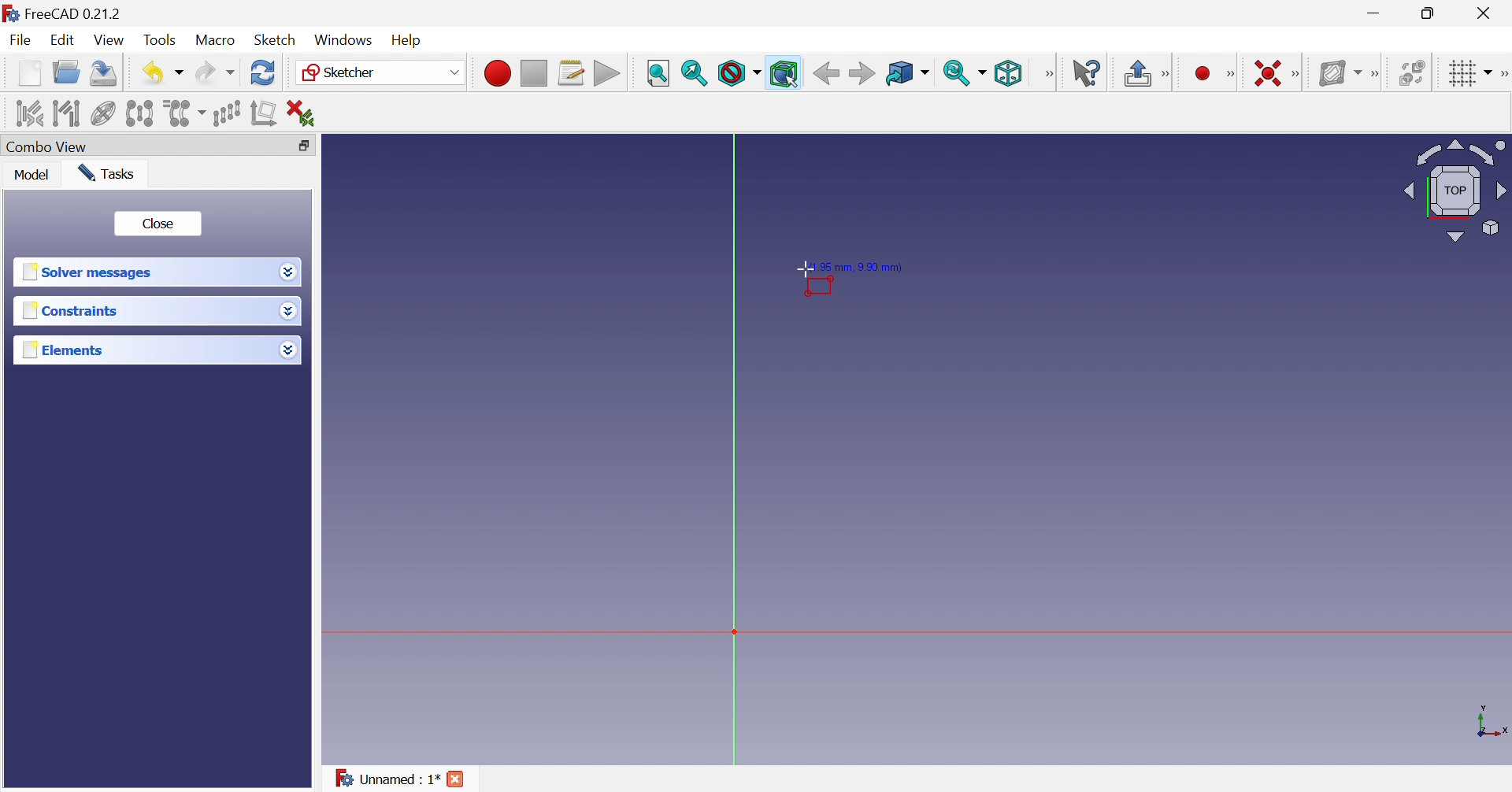  What do you see at coordinates (808, 270) in the screenshot?
I see `Cursor` at bounding box center [808, 270].